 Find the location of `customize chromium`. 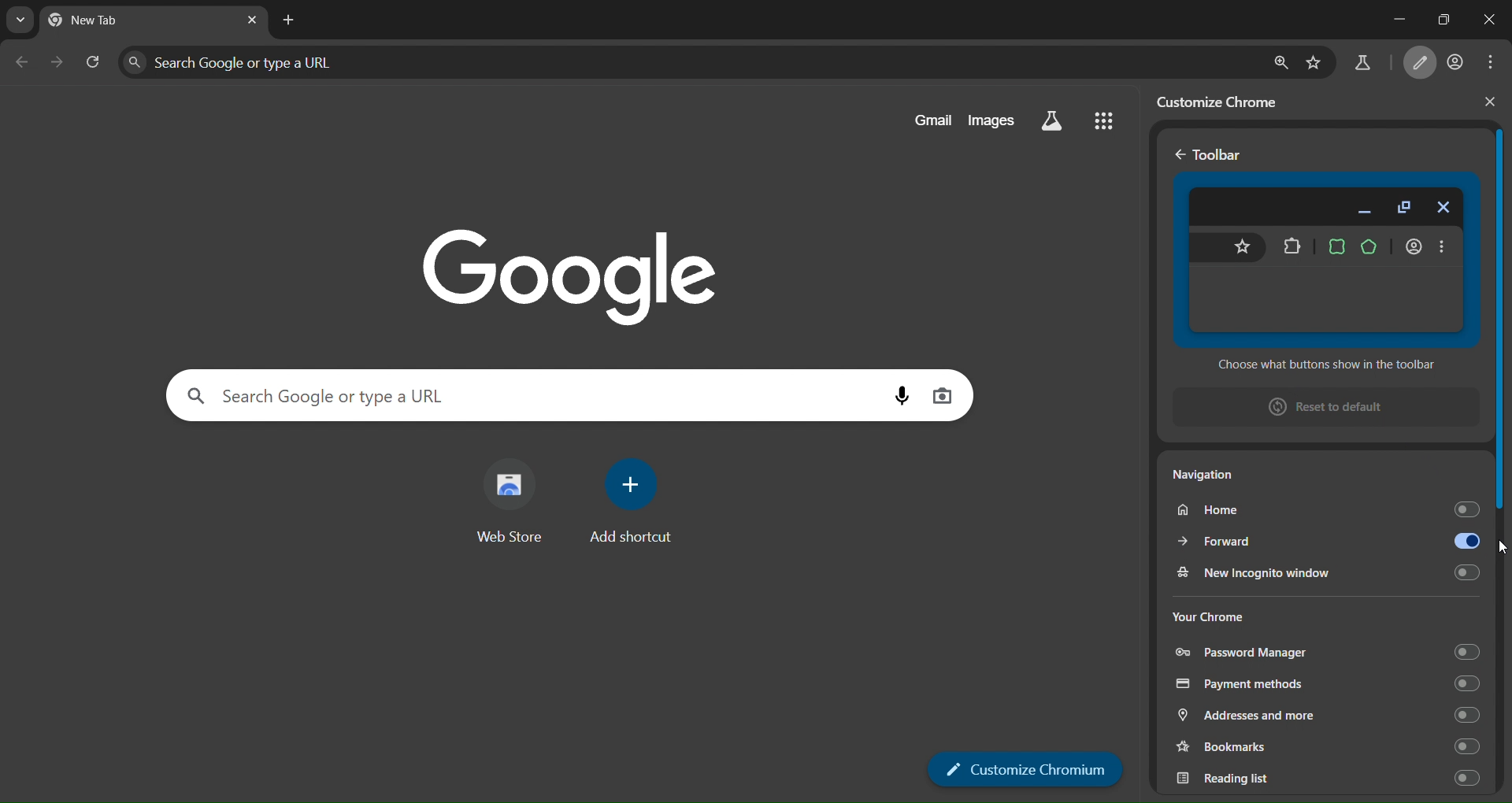

customize chromium is located at coordinates (1423, 64).